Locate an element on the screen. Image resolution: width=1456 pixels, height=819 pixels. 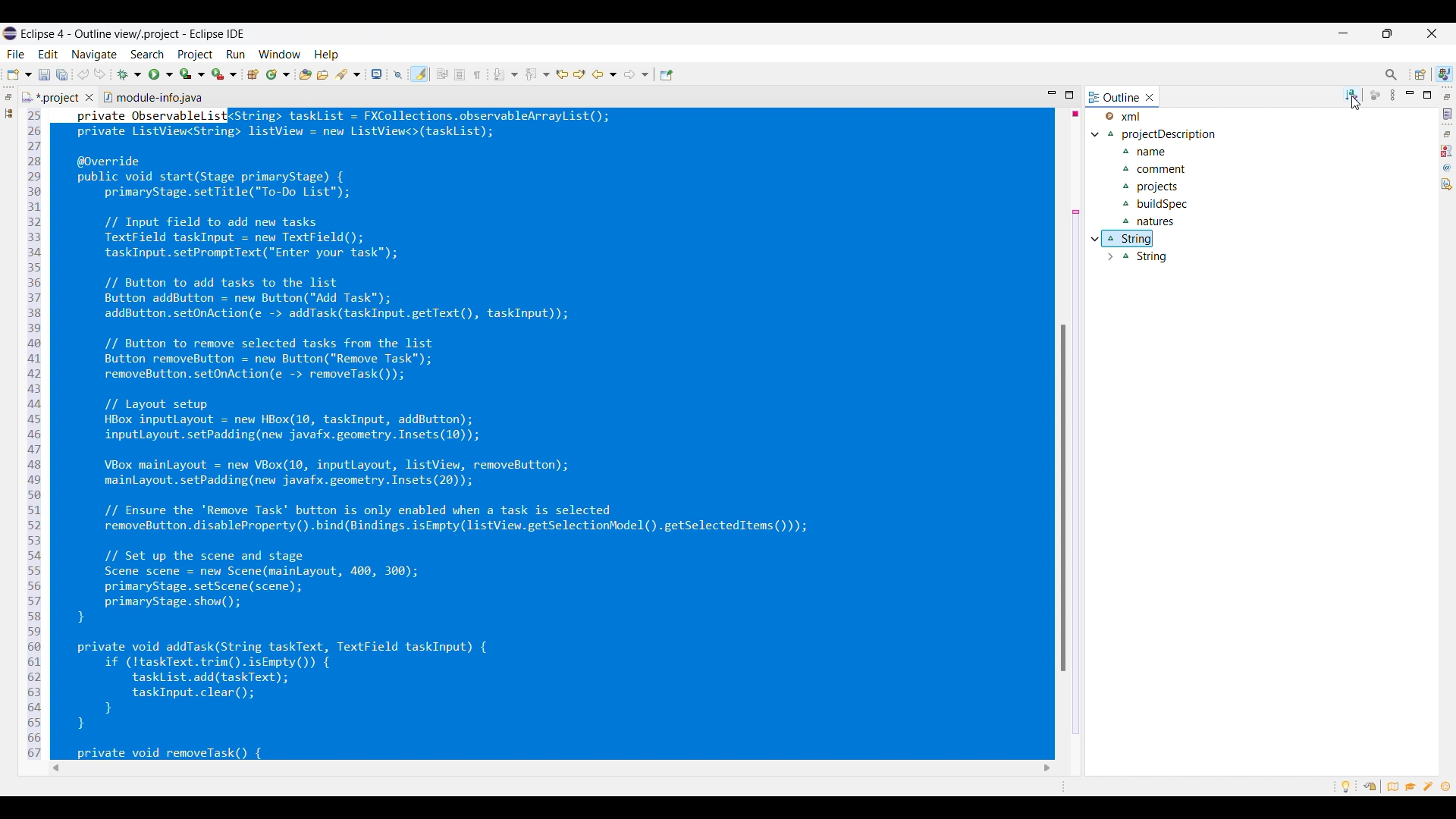
Package explorer is located at coordinates (8, 113).